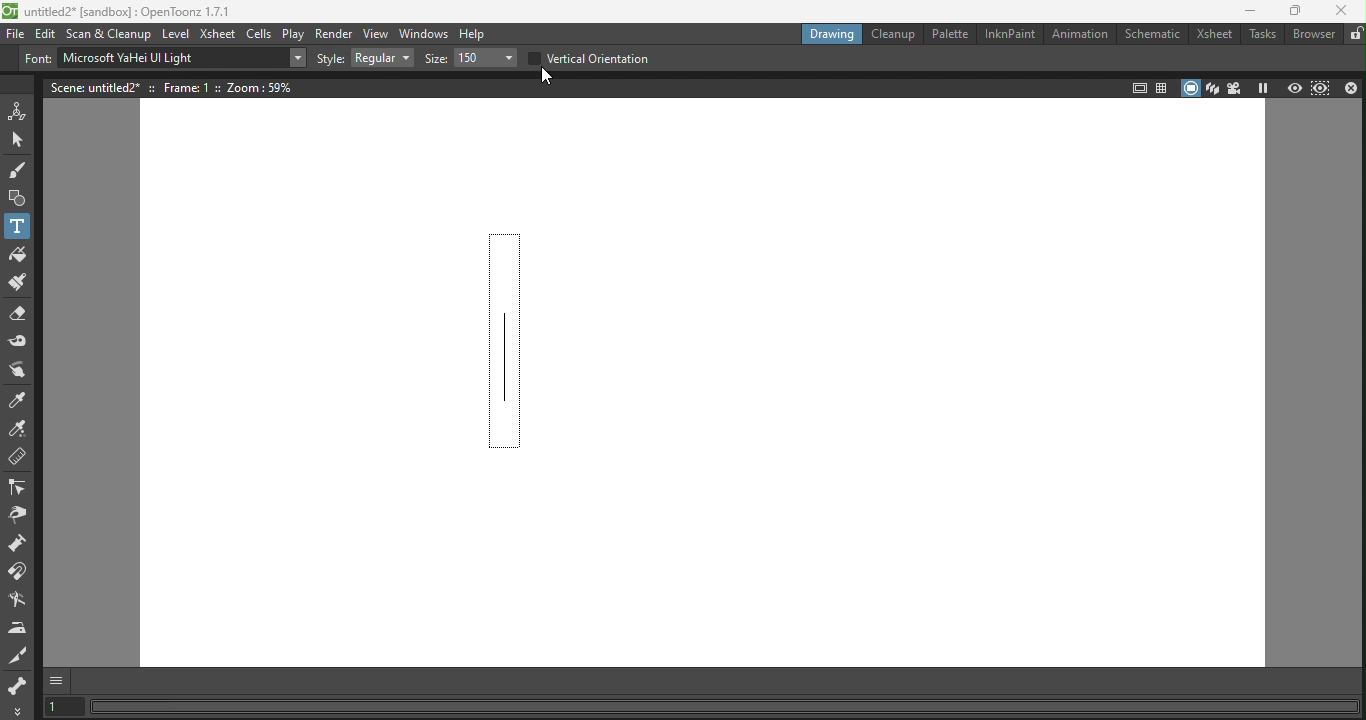  Describe the element at coordinates (1192, 85) in the screenshot. I see `Camera stand view` at that location.